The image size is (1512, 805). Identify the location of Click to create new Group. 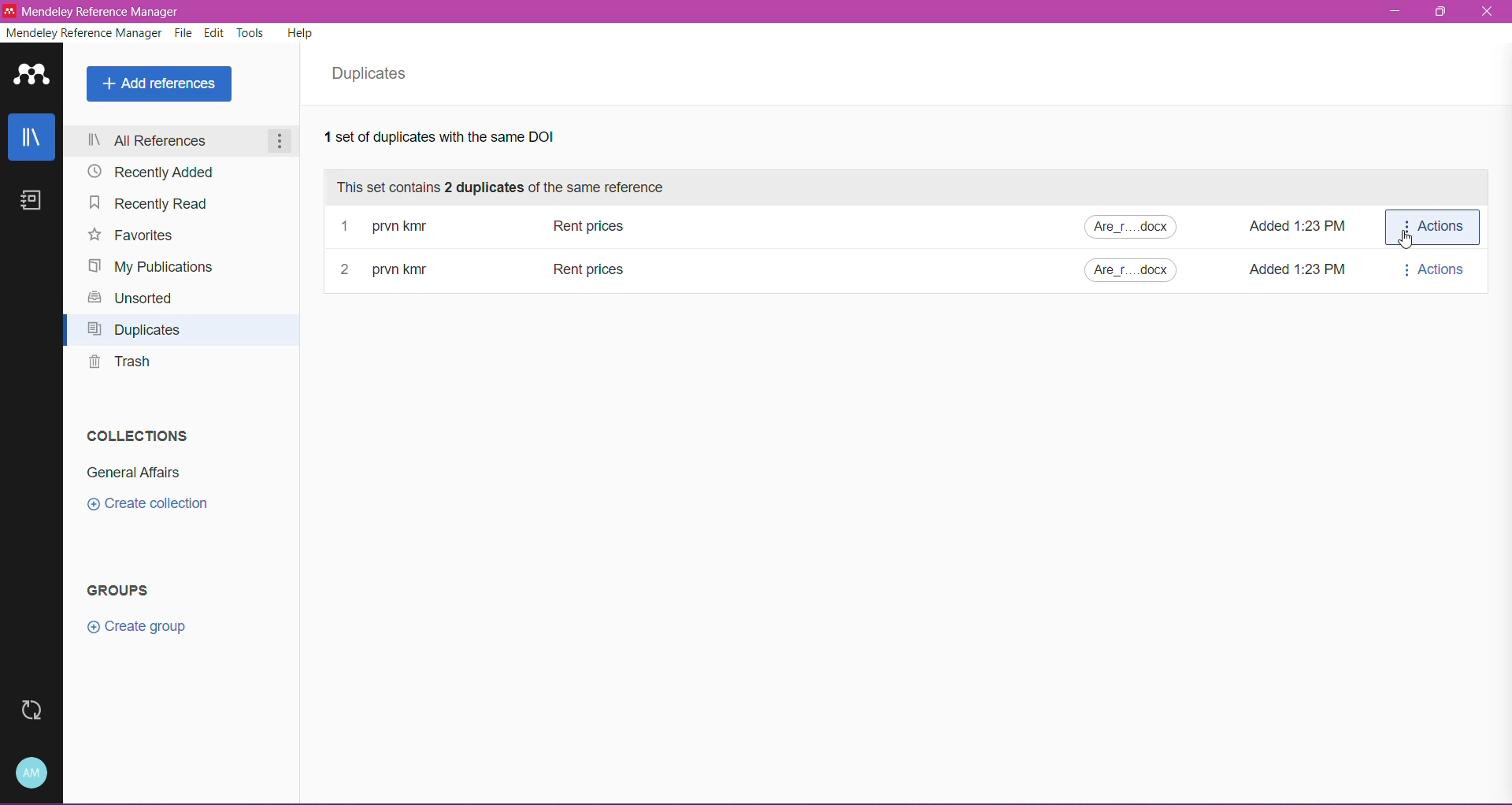
(139, 625).